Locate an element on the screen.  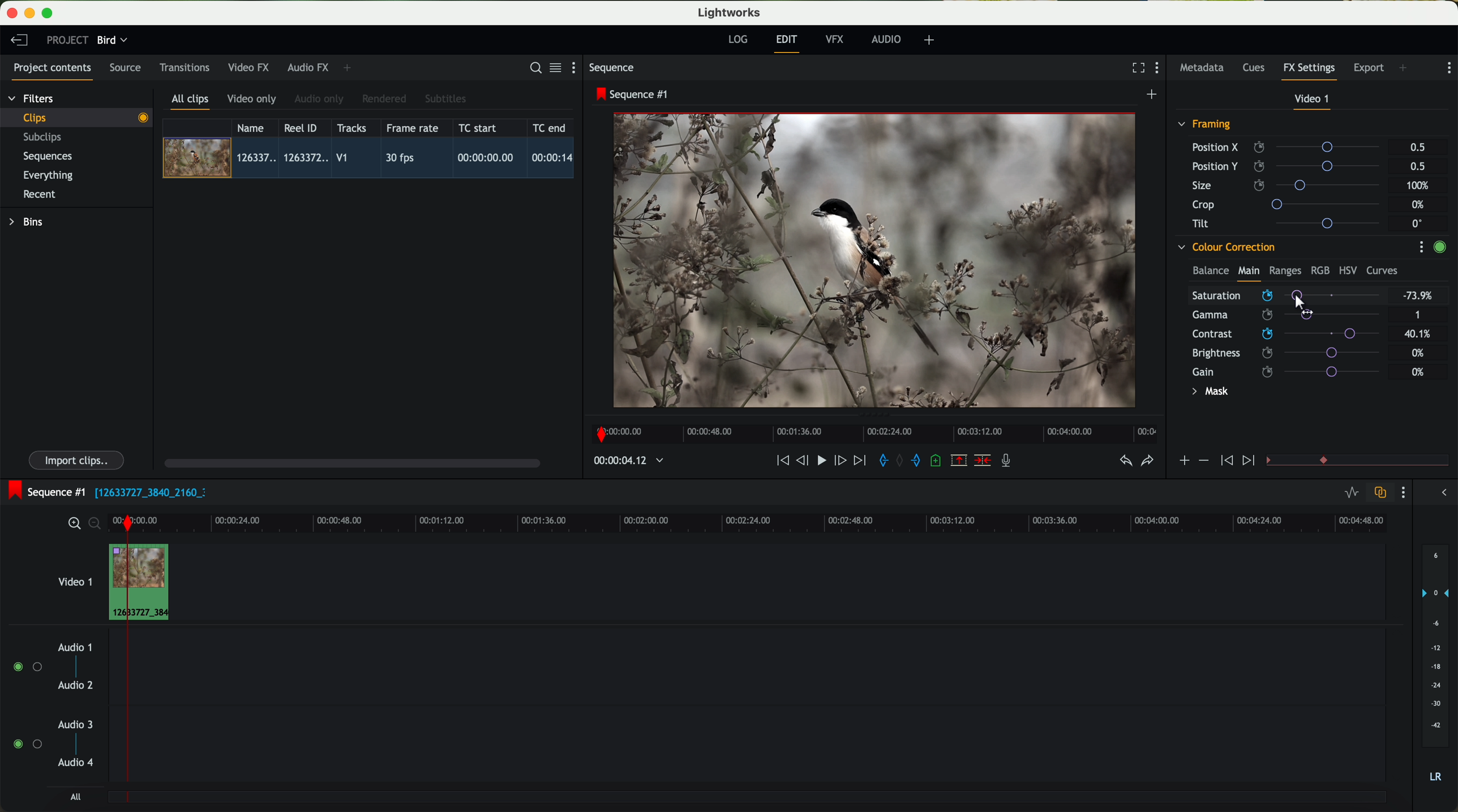
size is located at coordinates (1289, 186).